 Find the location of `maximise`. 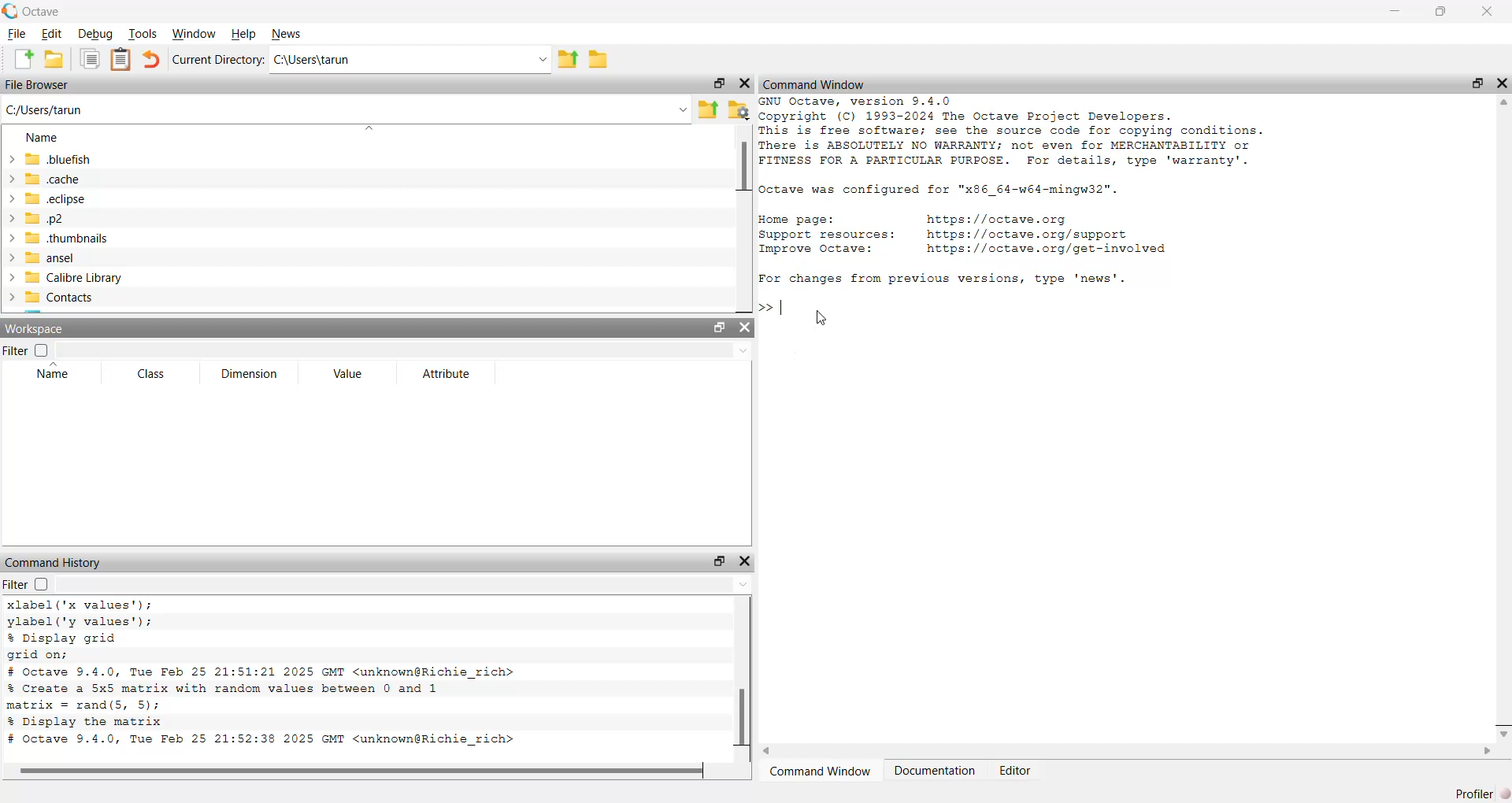

maximise is located at coordinates (716, 560).